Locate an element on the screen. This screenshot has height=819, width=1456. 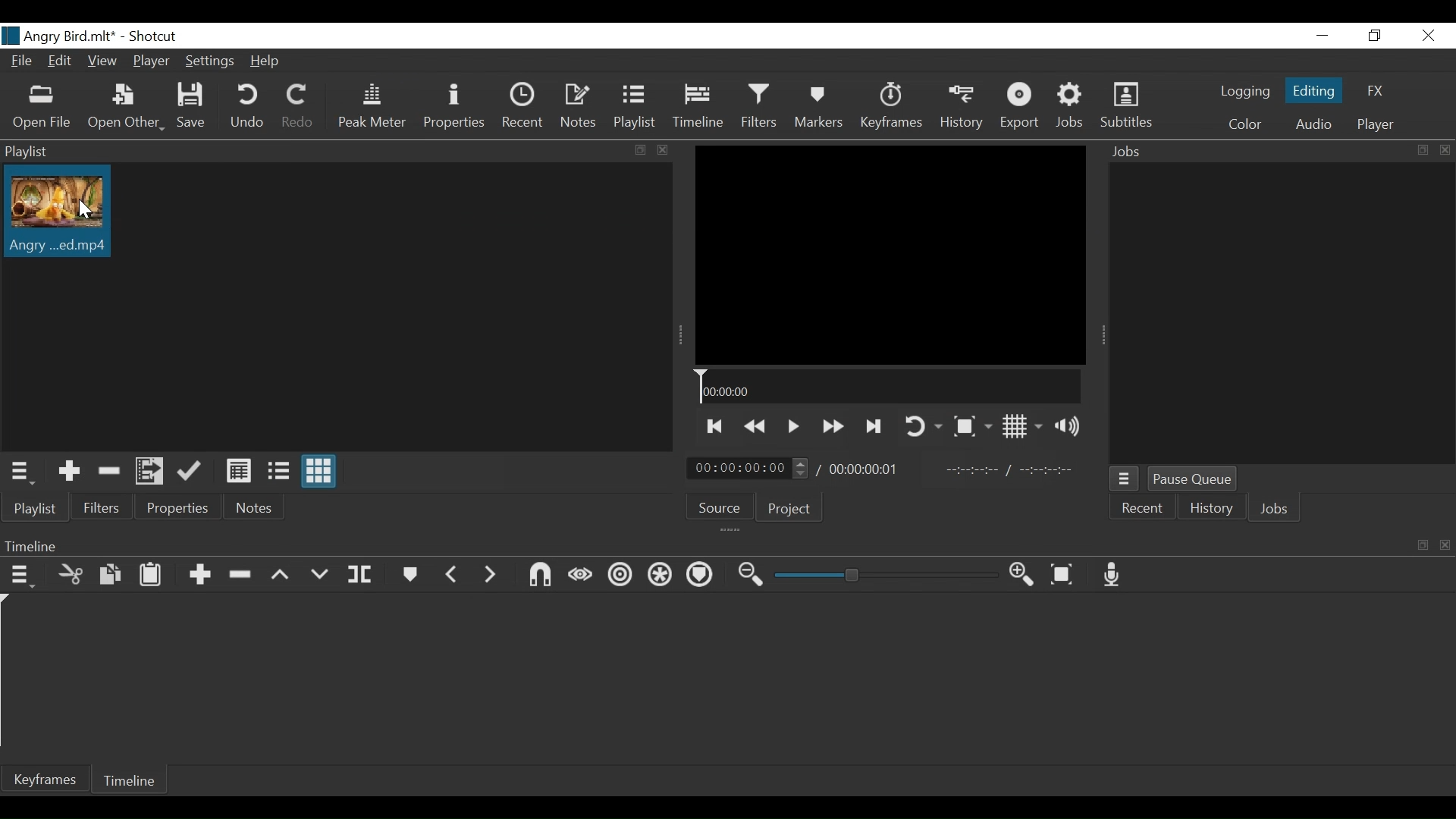
Add the Source to the playlist is located at coordinates (67, 472).